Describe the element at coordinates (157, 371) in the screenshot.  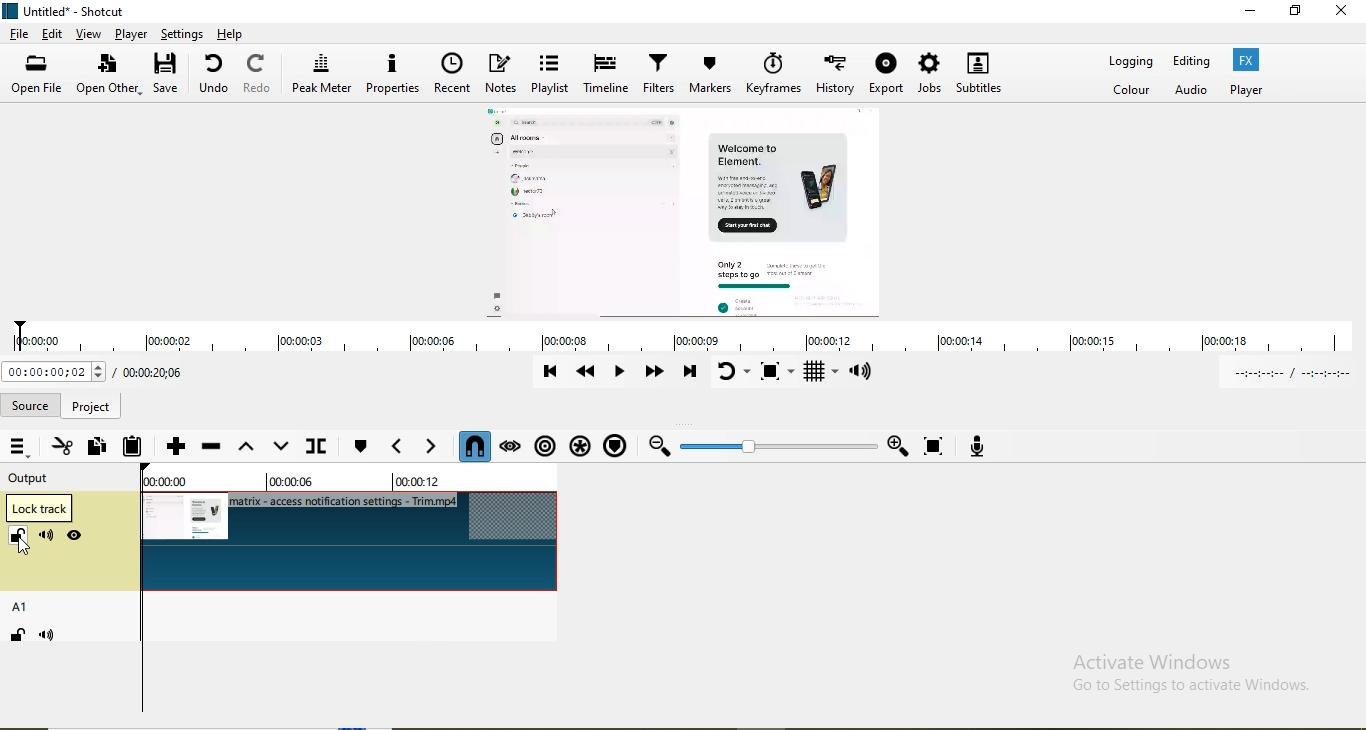
I see `Total duration` at that location.